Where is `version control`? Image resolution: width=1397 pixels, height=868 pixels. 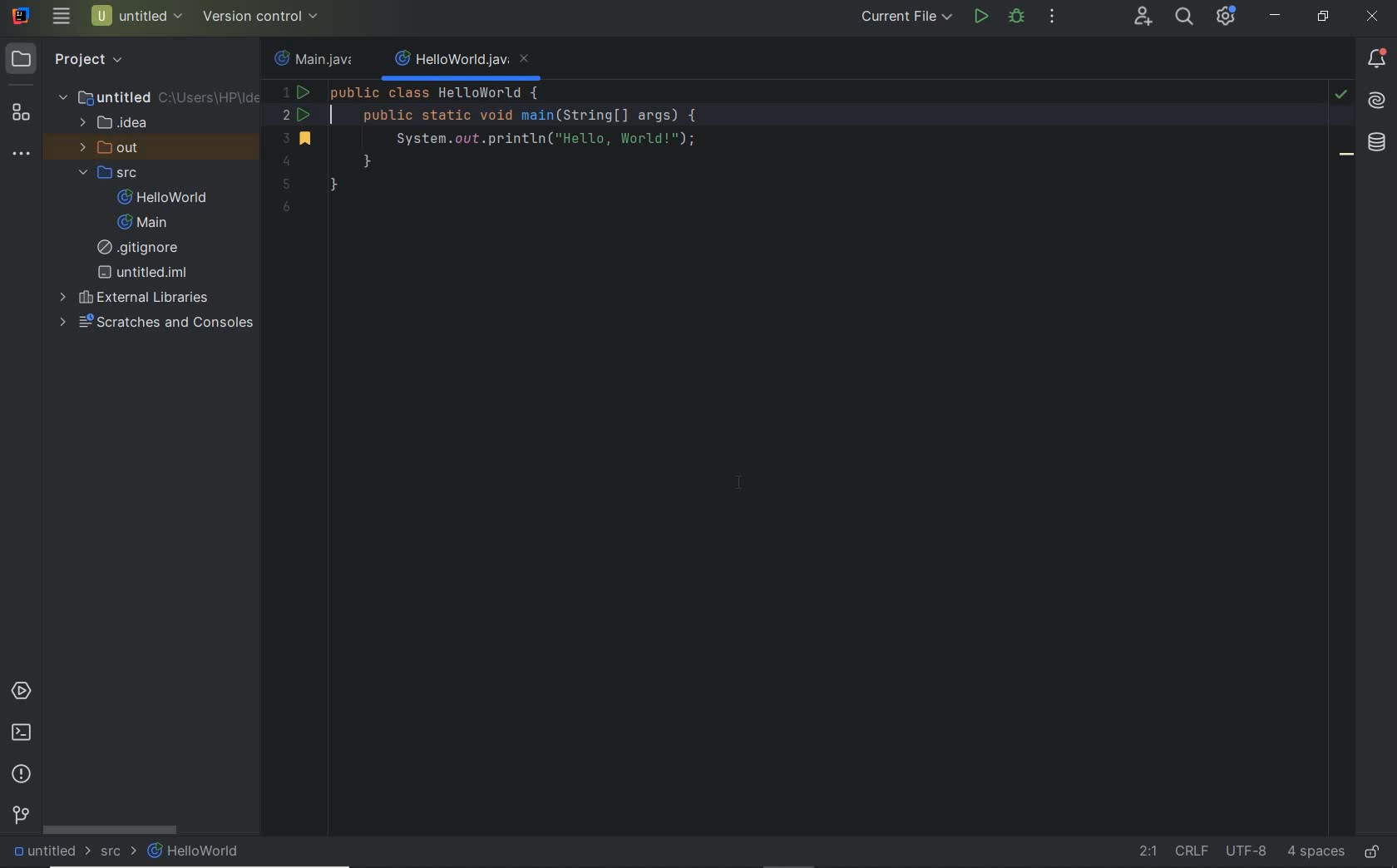 version control is located at coordinates (22, 816).